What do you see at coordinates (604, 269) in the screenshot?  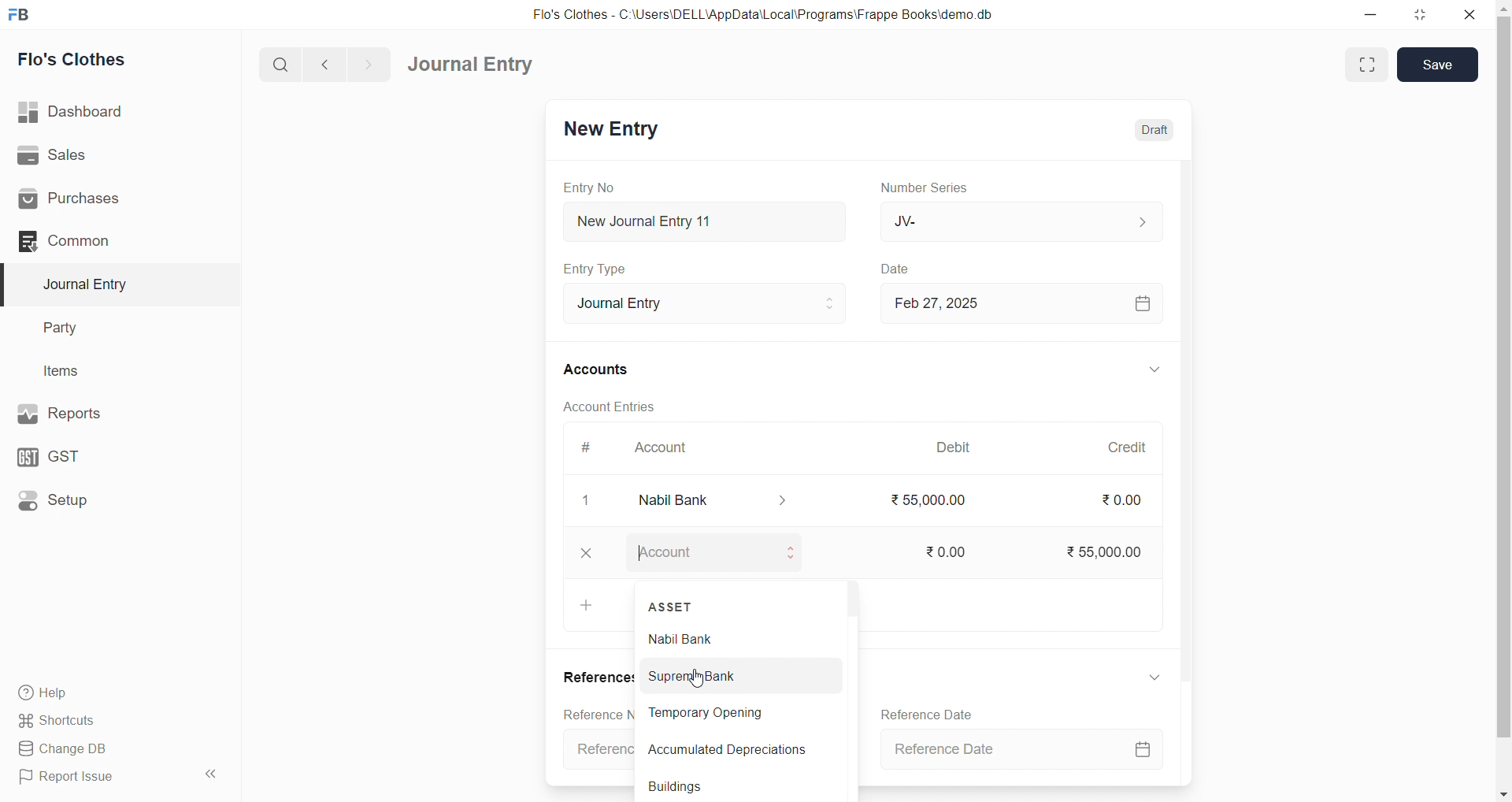 I see `Entry Type` at bounding box center [604, 269].